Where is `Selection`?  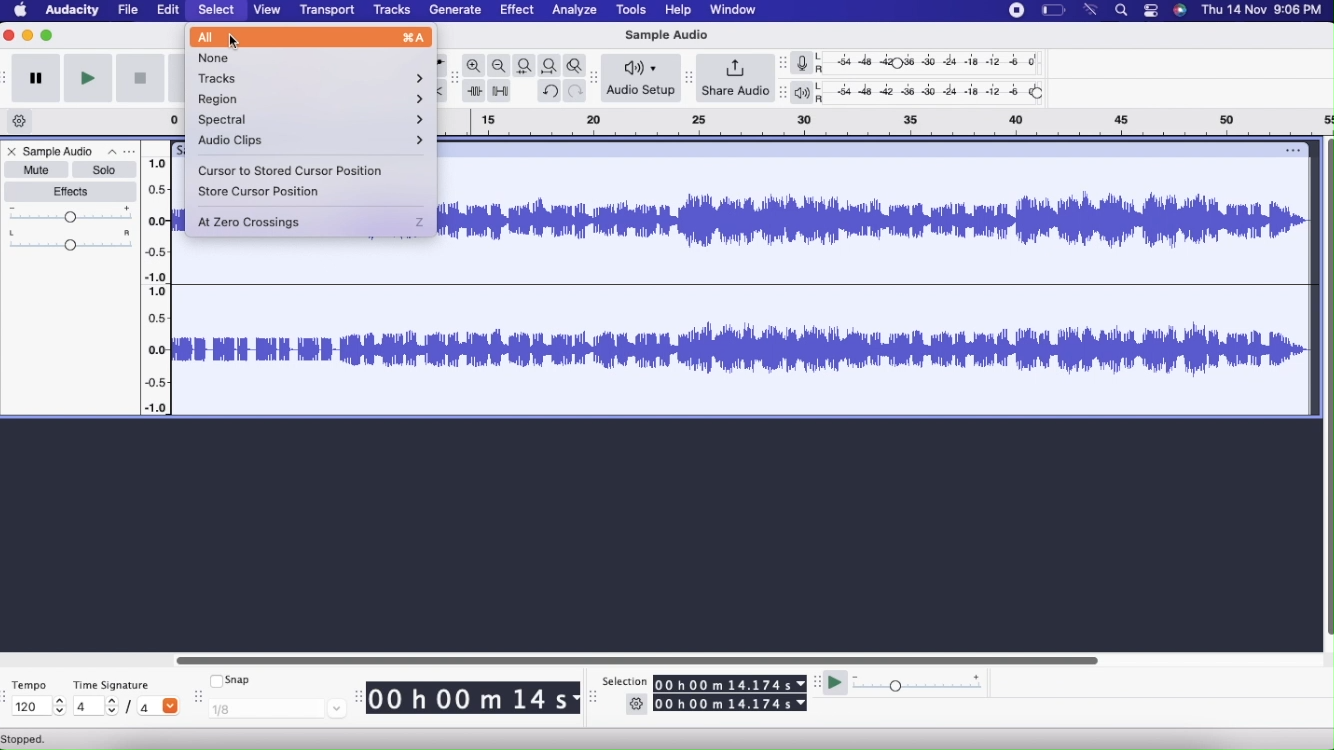
Selection is located at coordinates (625, 679).